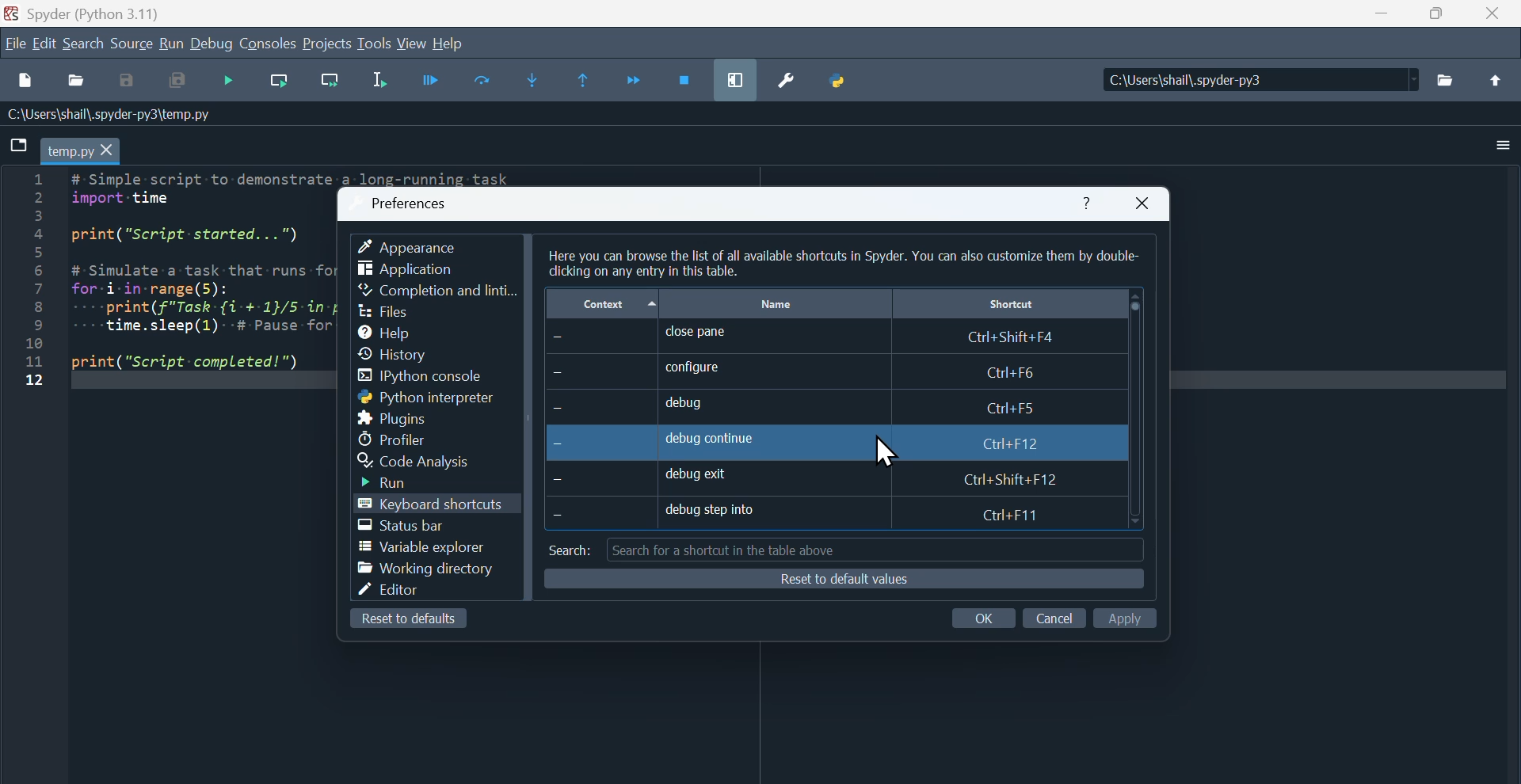 The width and height of the screenshot is (1521, 784). What do you see at coordinates (1054, 615) in the screenshot?
I see `` at bounding box center [1054, 615].